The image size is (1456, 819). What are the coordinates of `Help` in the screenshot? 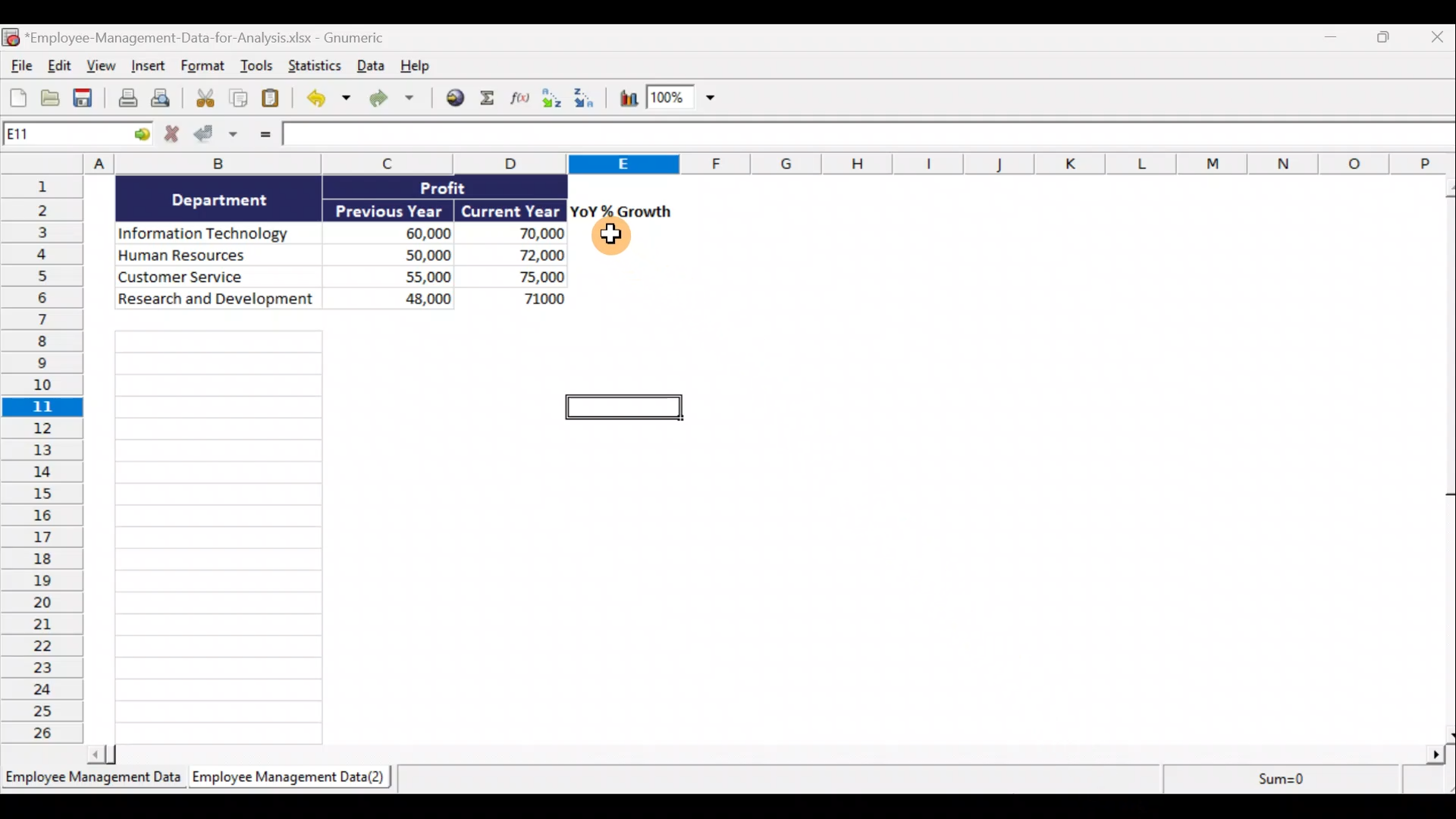 It's located at (415, 67).